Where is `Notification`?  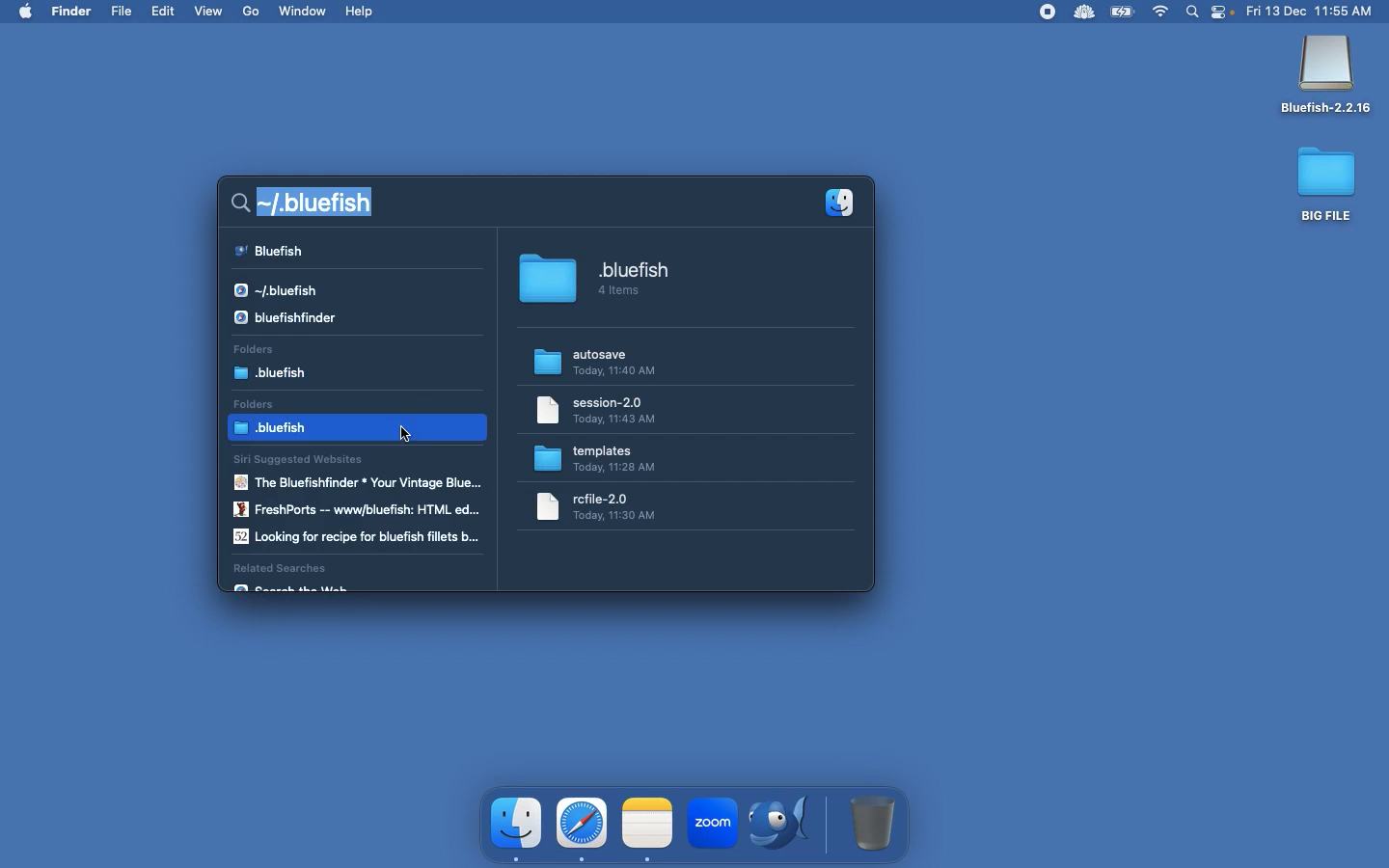 Notification is located at coordinates (1224, 14).